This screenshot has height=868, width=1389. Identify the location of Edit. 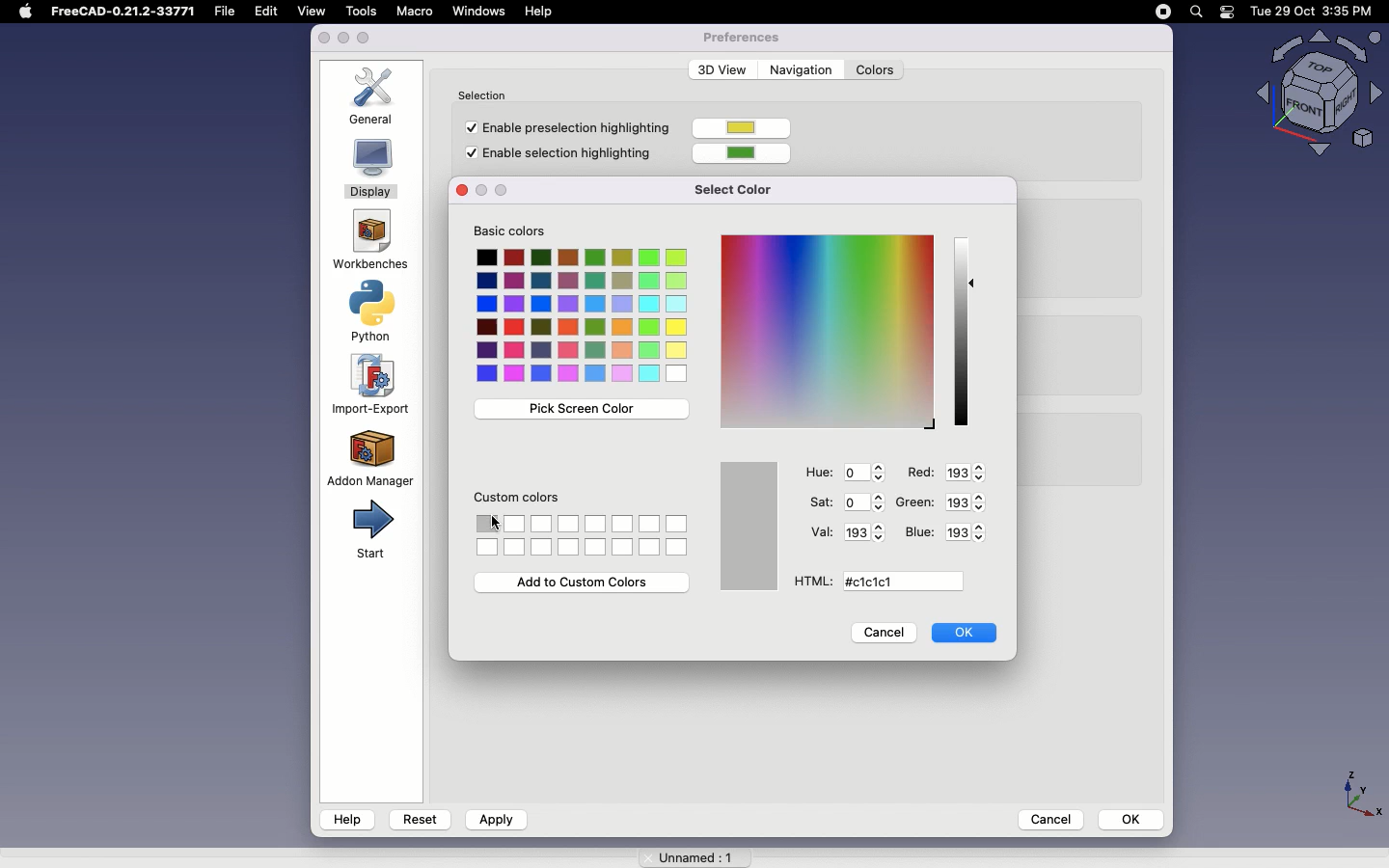
(271, 12).